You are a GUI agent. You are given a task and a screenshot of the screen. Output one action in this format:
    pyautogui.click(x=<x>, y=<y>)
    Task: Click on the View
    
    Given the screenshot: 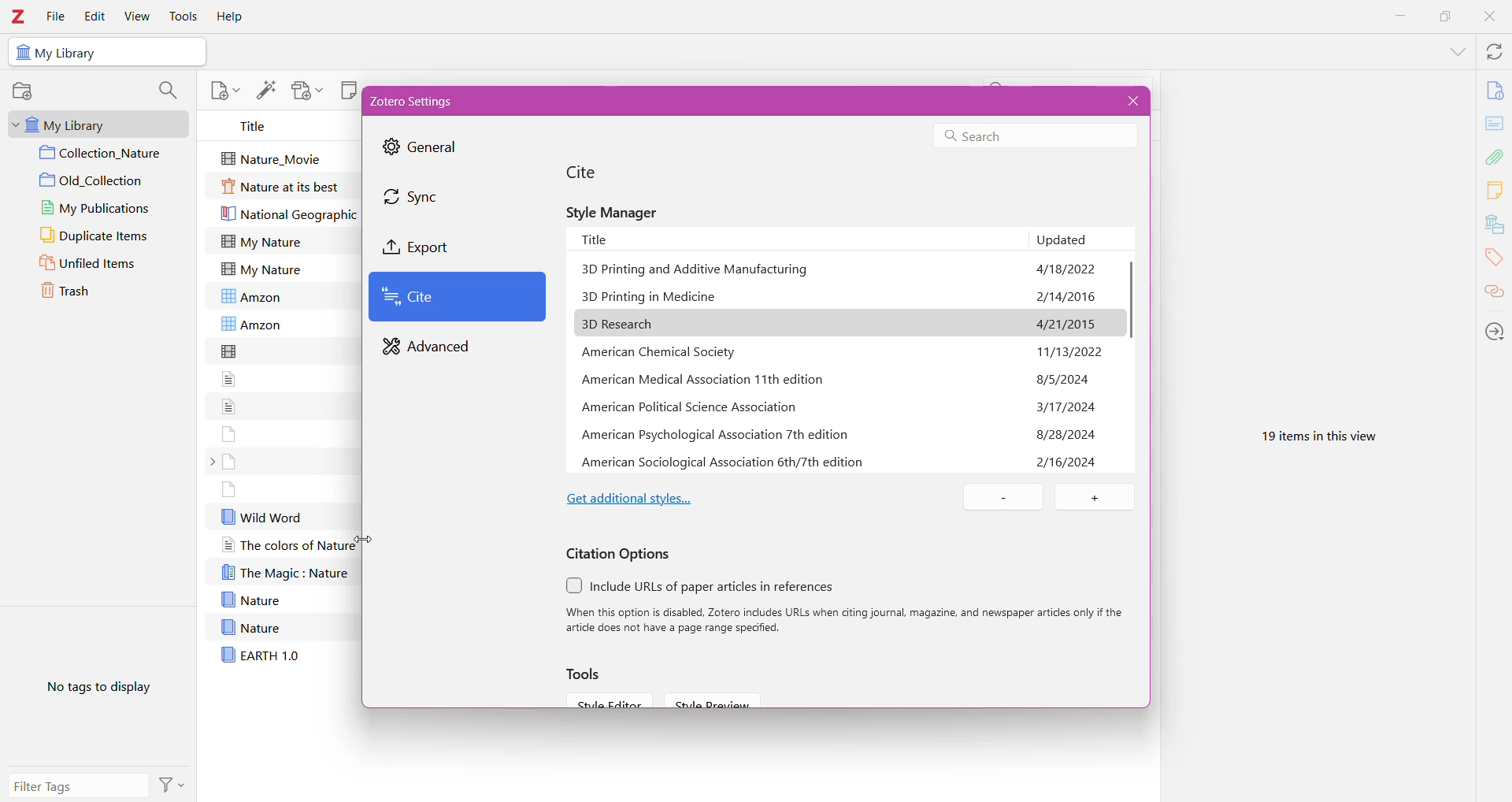 What is the action you would take?
    pyautogui.click(x=137, y=16)
    